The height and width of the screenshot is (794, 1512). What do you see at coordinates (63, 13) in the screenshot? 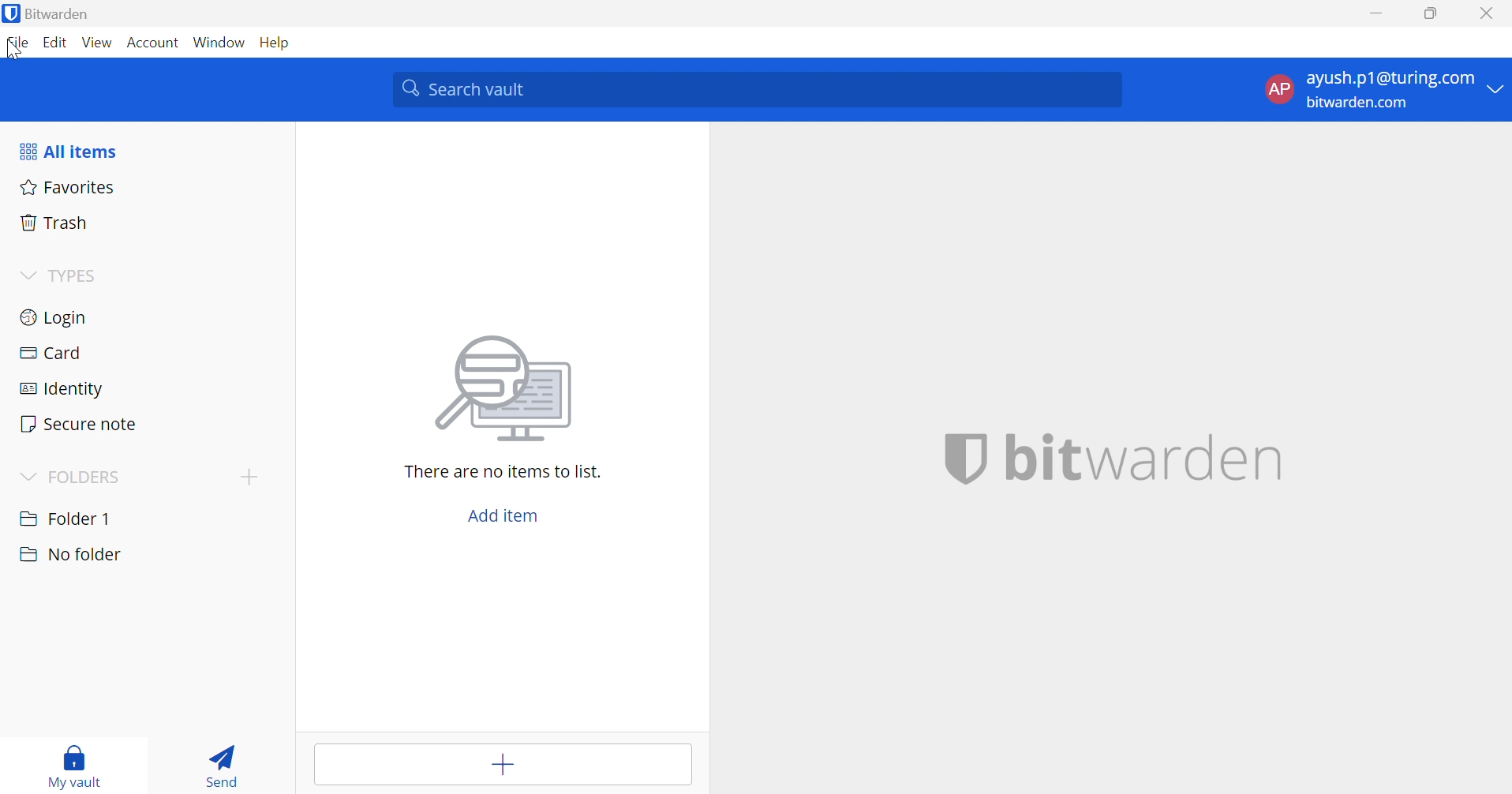
I see `Bitwarden` at bounding box center [63, 13].